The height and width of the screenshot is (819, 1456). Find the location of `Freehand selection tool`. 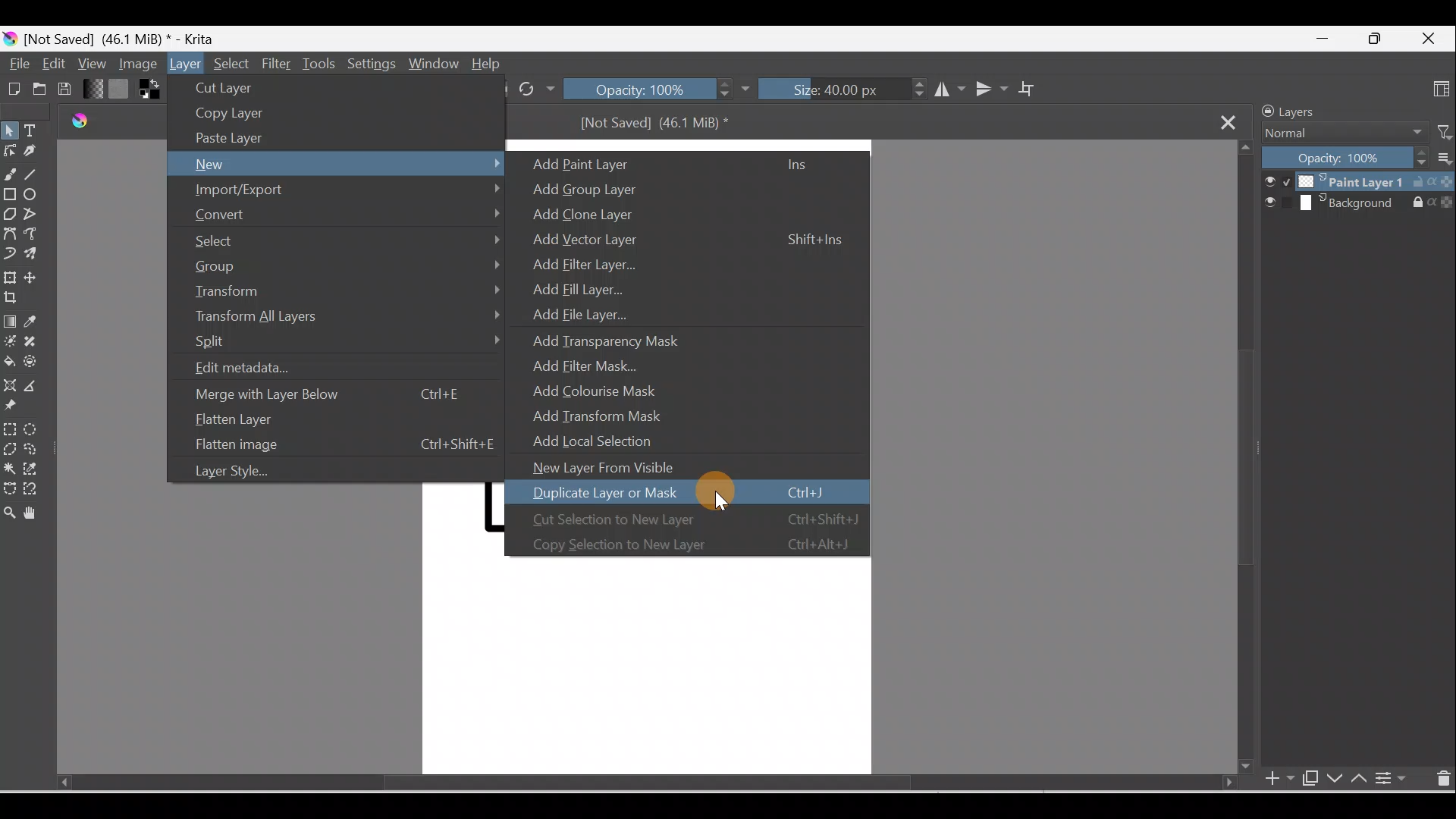

Freehand selection tool is located at coordinates (38, 449).